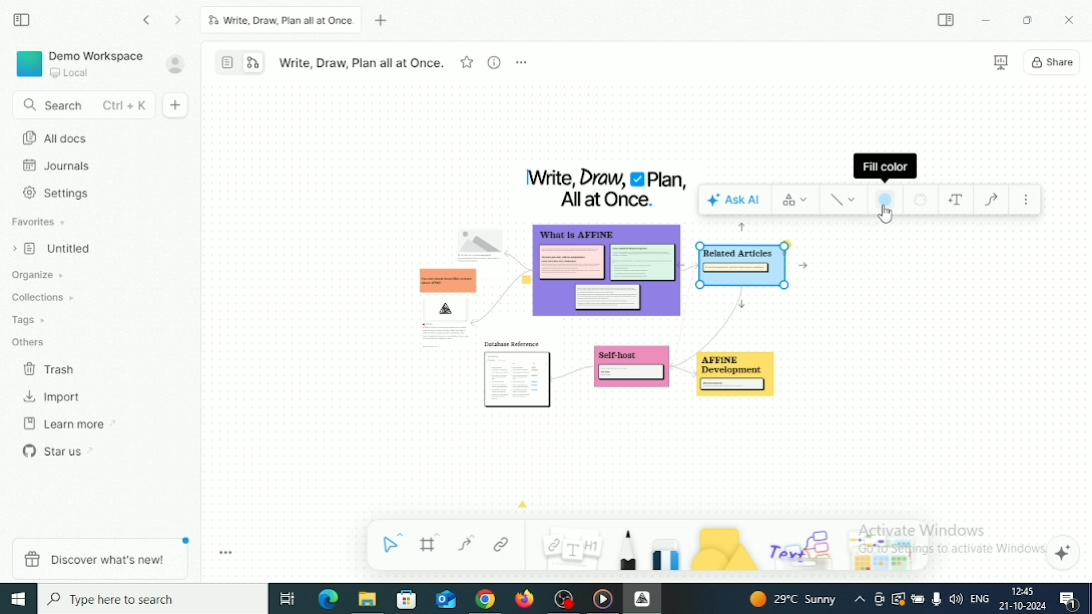  Describe the element at coordinates (880, 599) in the screenshot. I see `Meet Now` at that location.